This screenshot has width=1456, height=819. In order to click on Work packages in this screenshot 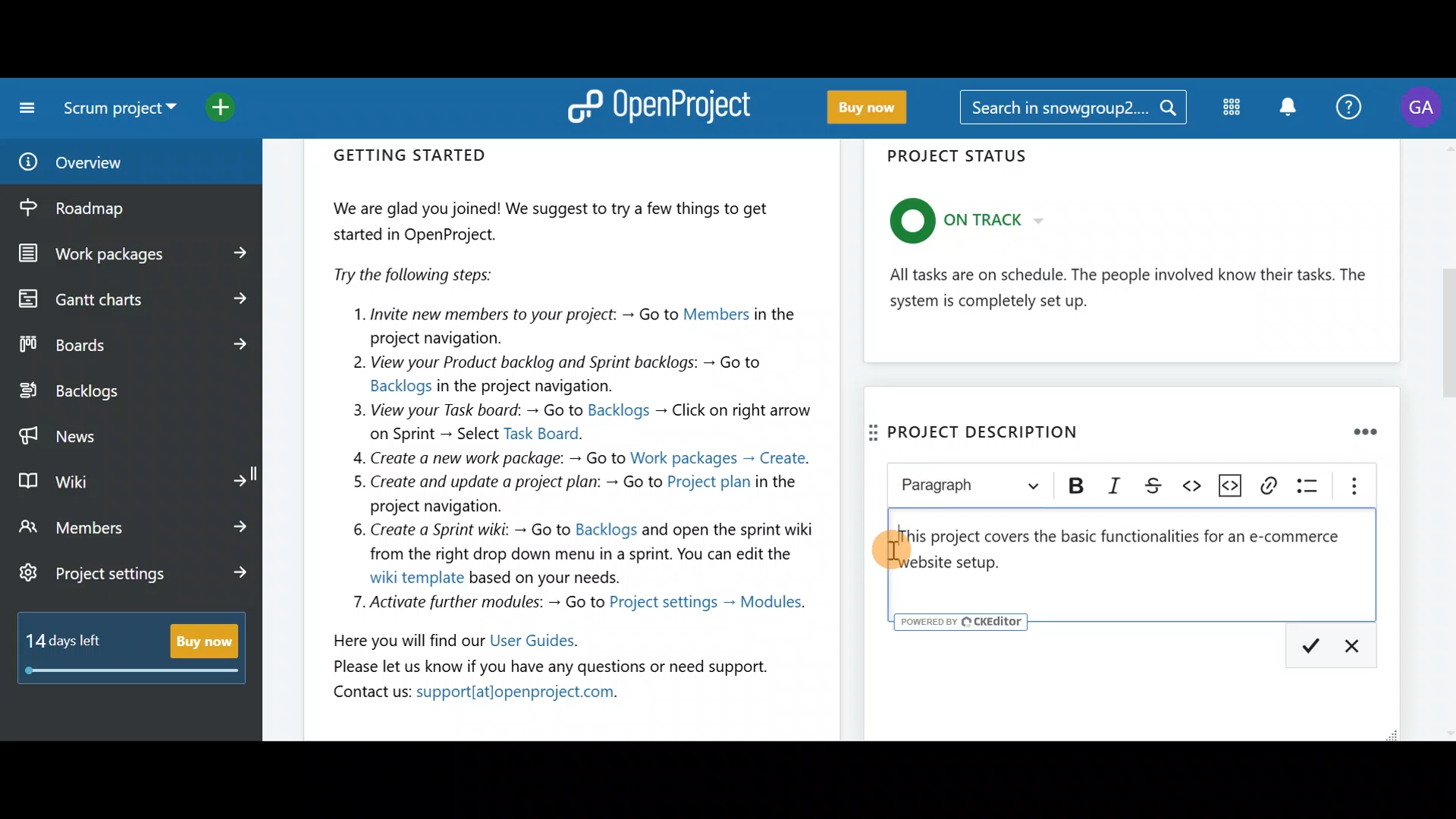, I will do `click(133, 254)`.